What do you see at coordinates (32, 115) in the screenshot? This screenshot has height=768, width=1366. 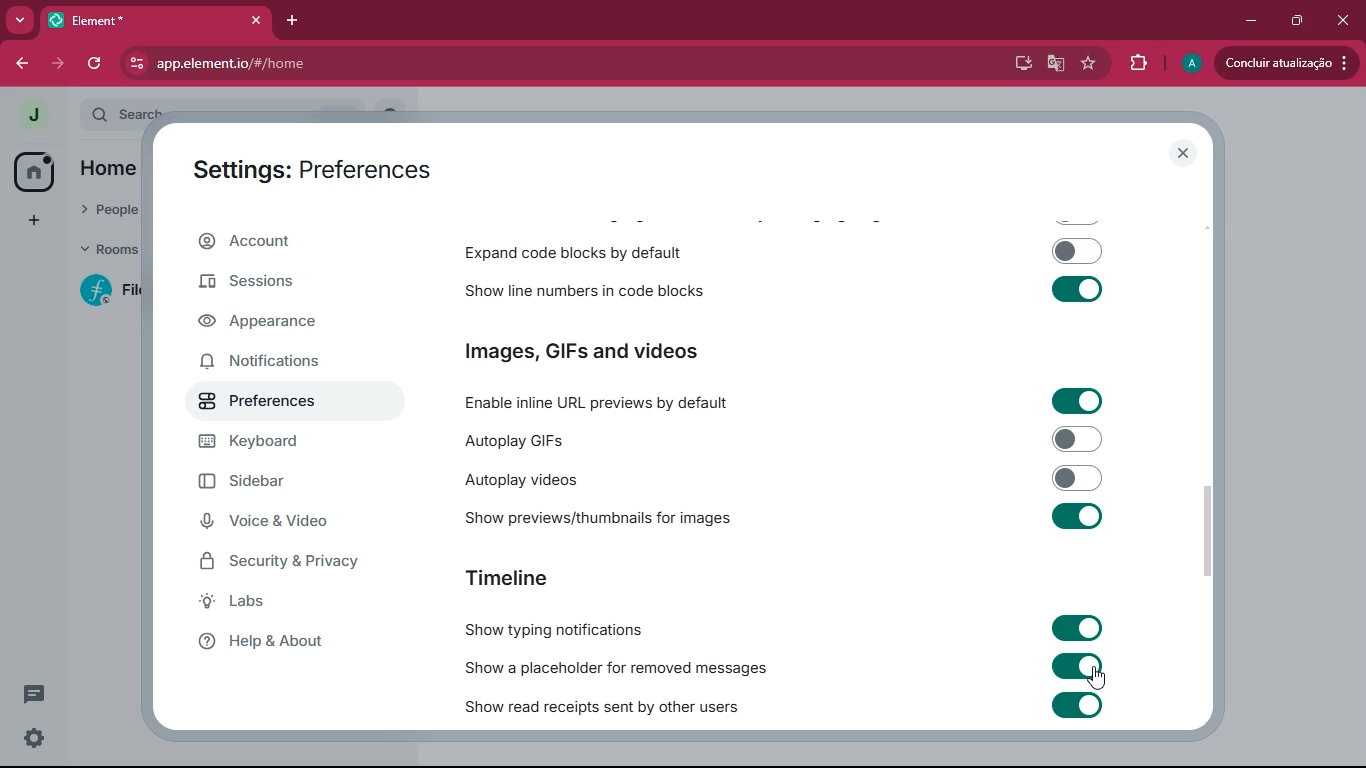 I see `profile picture` at bounding box center [32, 115].